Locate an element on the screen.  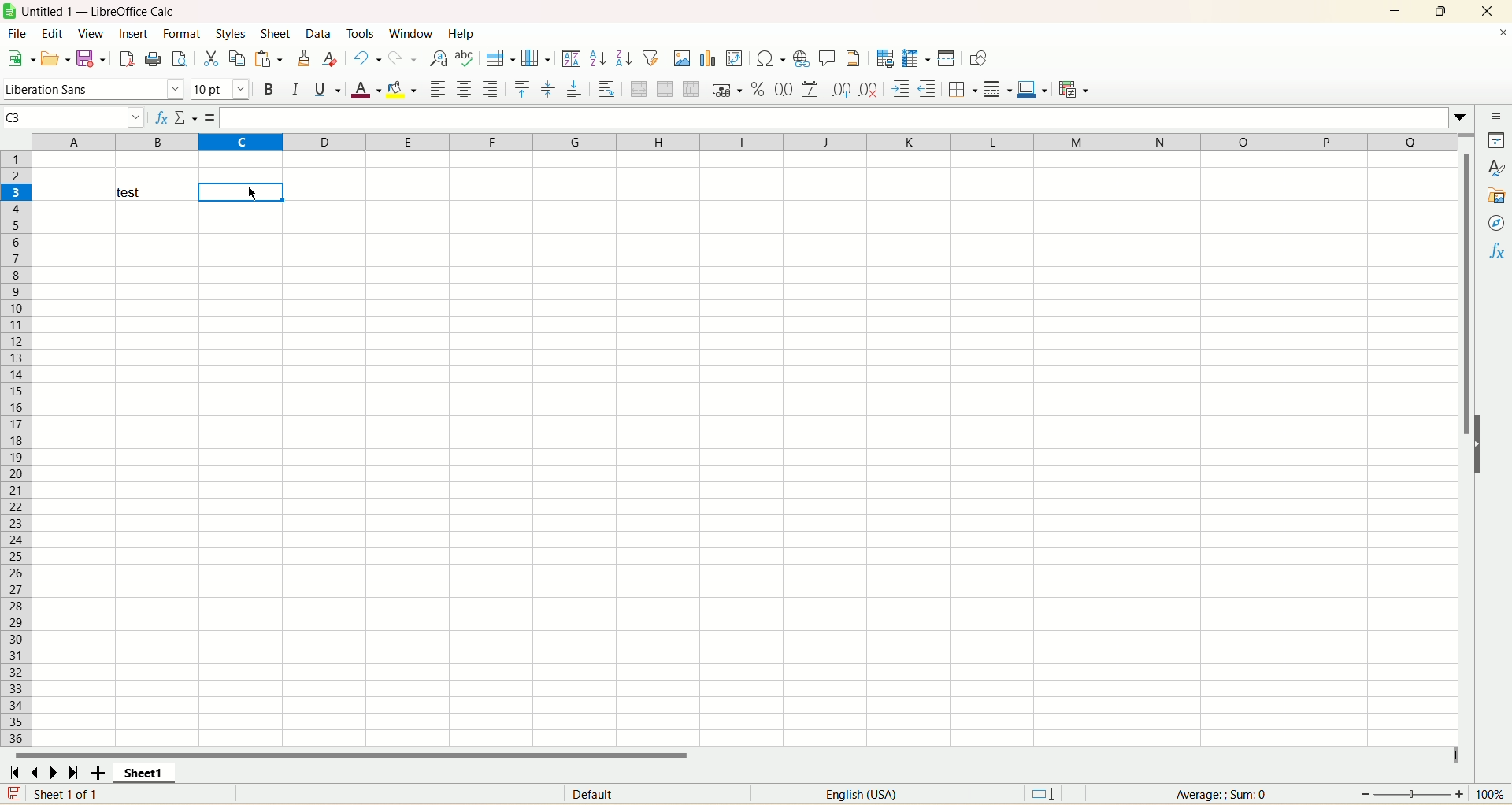
column is located at coordinates (535, 57).